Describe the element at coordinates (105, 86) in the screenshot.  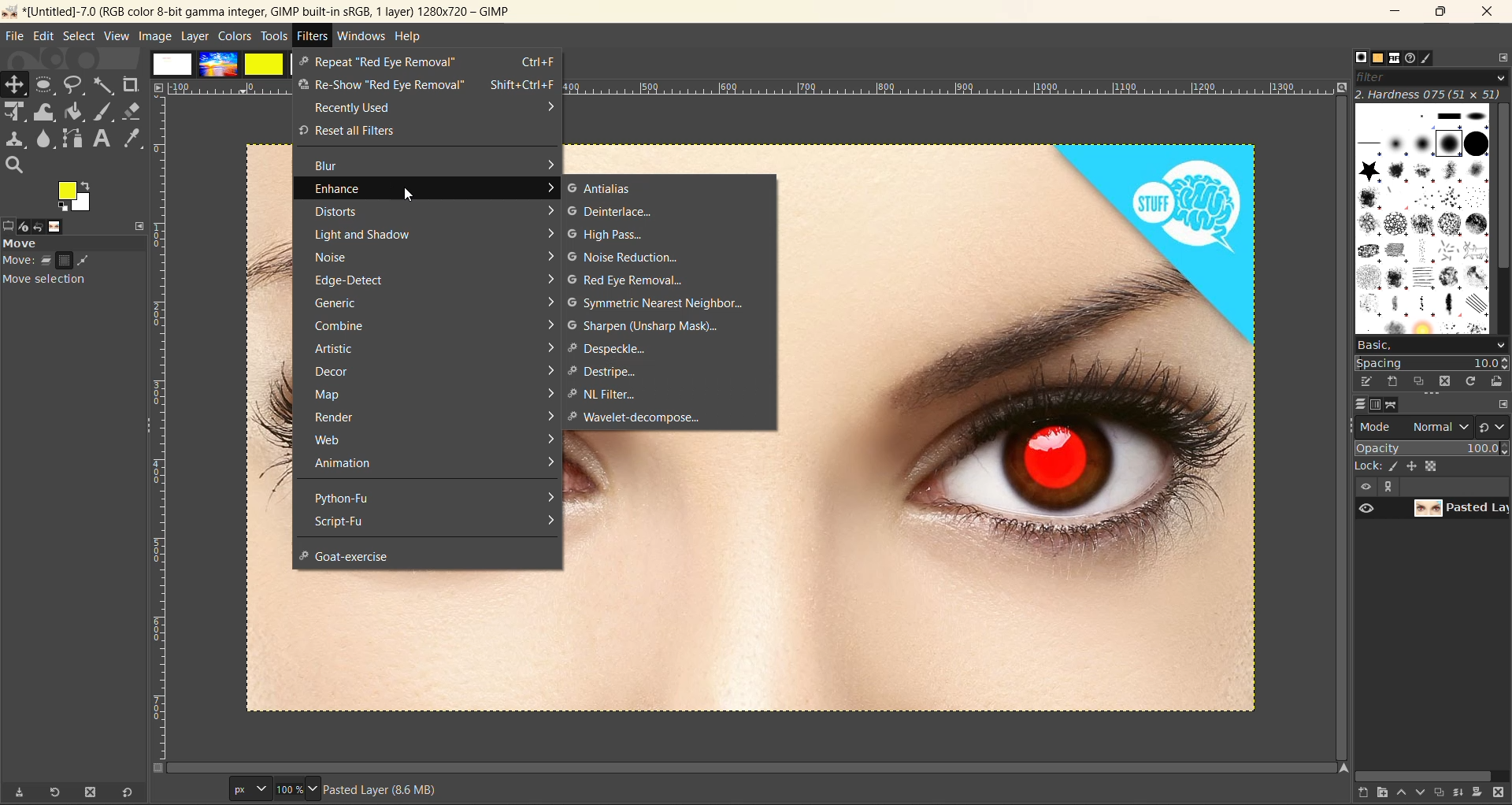
I see `fuzzy text` at that location.